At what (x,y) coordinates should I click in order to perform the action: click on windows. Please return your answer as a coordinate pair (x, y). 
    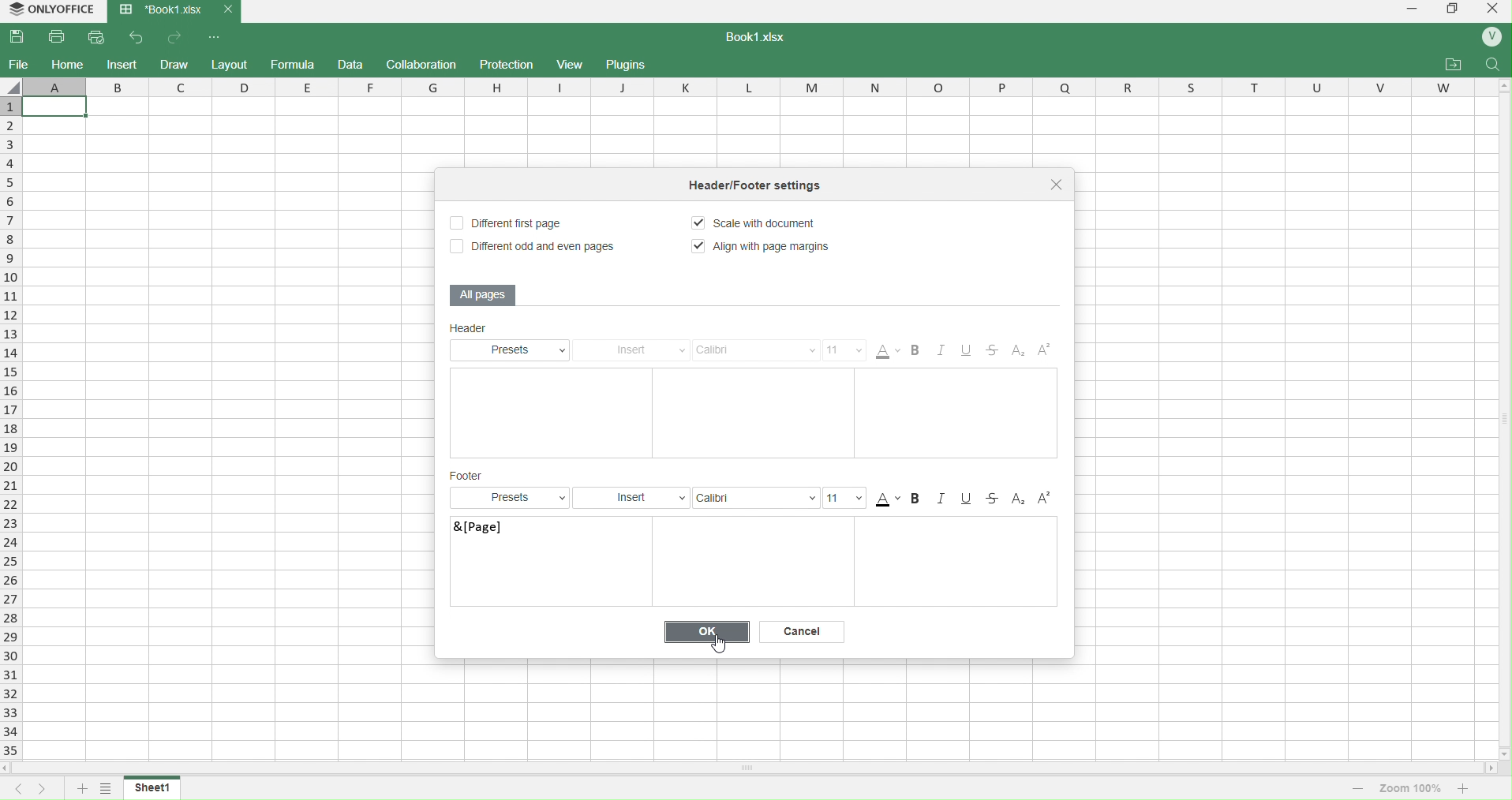
    Looking at the image, I should click on (1451, 11).